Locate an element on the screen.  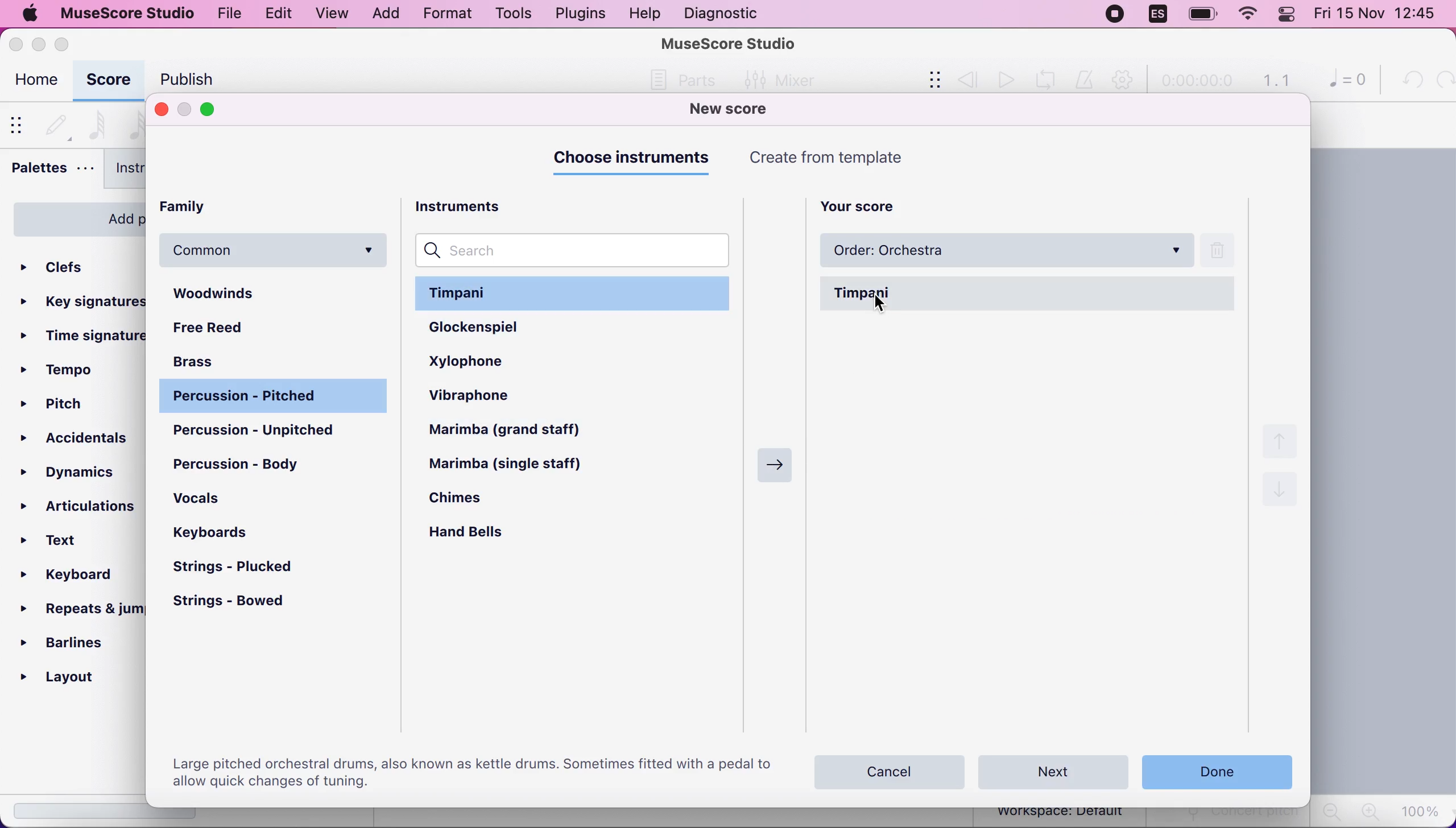
ime signatures is located at coordinates (84, 337).